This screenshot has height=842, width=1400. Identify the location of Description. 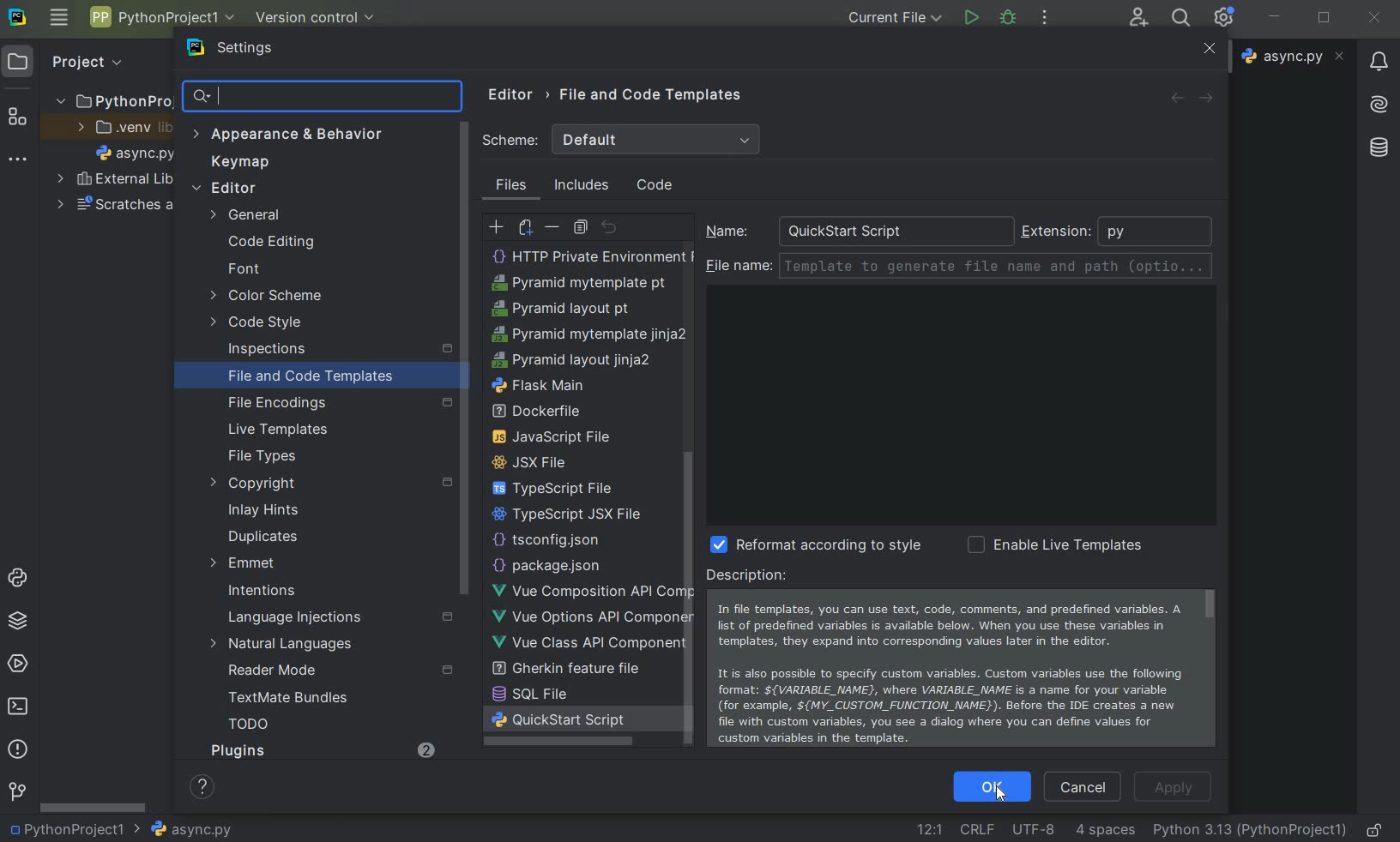
(956, 659).